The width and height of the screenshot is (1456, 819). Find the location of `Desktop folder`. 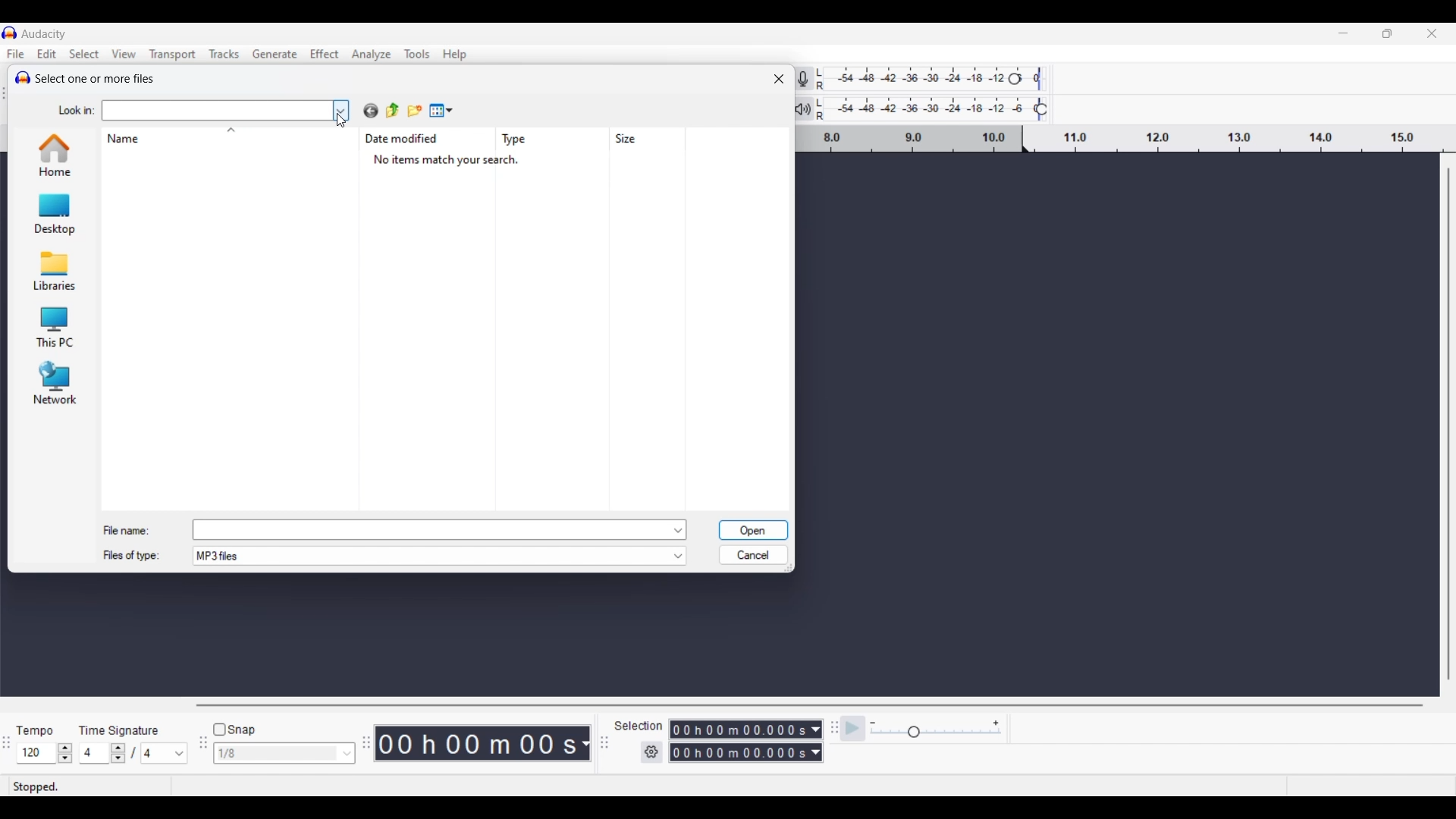

Desktop folder is located at coordinates (53, 213).